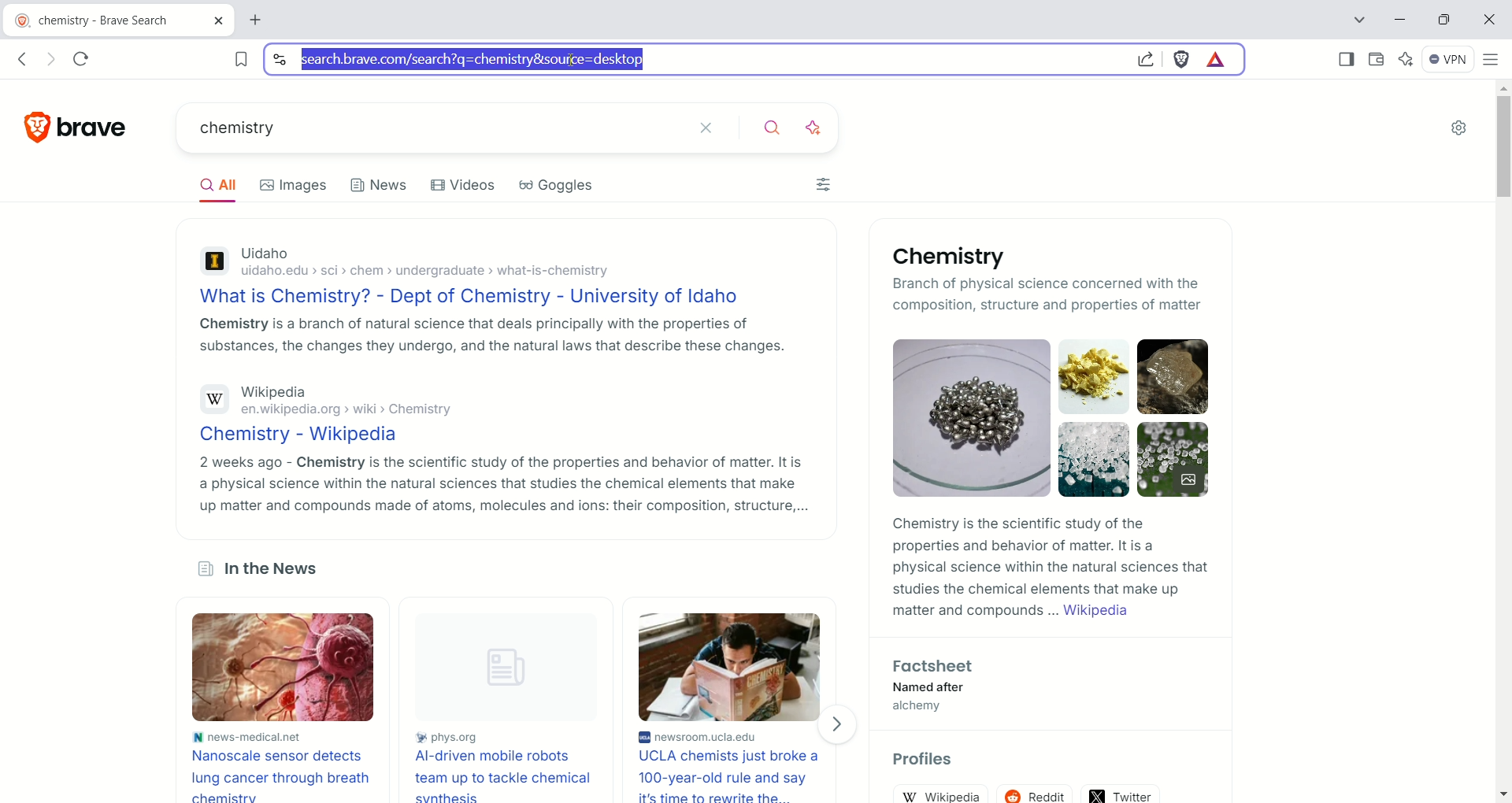 The height and width of the screenshot is (803, 1512). What do you see at coordinates (717, 127) in the screenshot?
I see `close` at bounding box center [717, 127].